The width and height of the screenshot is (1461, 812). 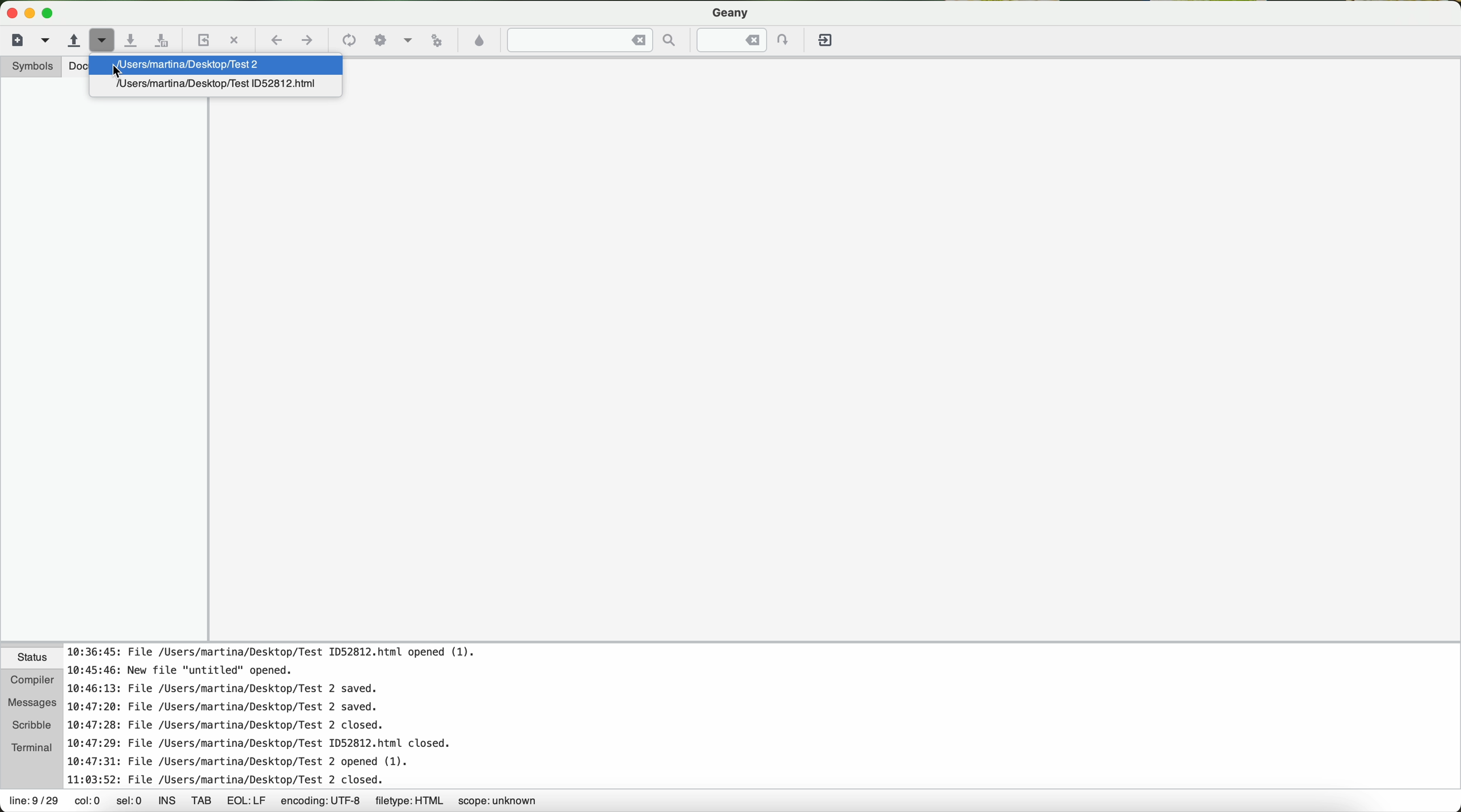 I want to click on navigate foward, so click(x=309, y=42).